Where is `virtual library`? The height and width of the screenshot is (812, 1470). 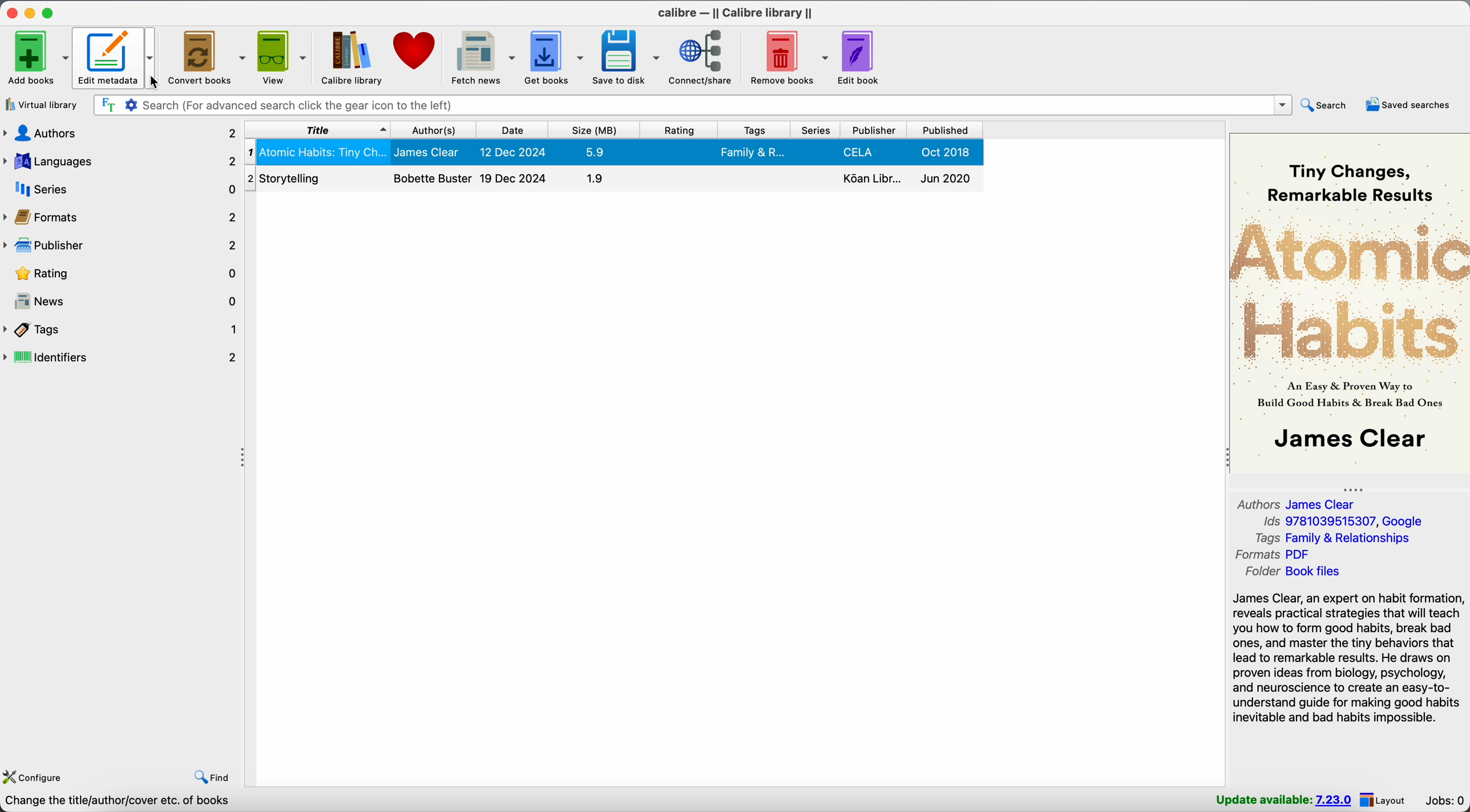 virtual library is located at coordinates (41, 104).